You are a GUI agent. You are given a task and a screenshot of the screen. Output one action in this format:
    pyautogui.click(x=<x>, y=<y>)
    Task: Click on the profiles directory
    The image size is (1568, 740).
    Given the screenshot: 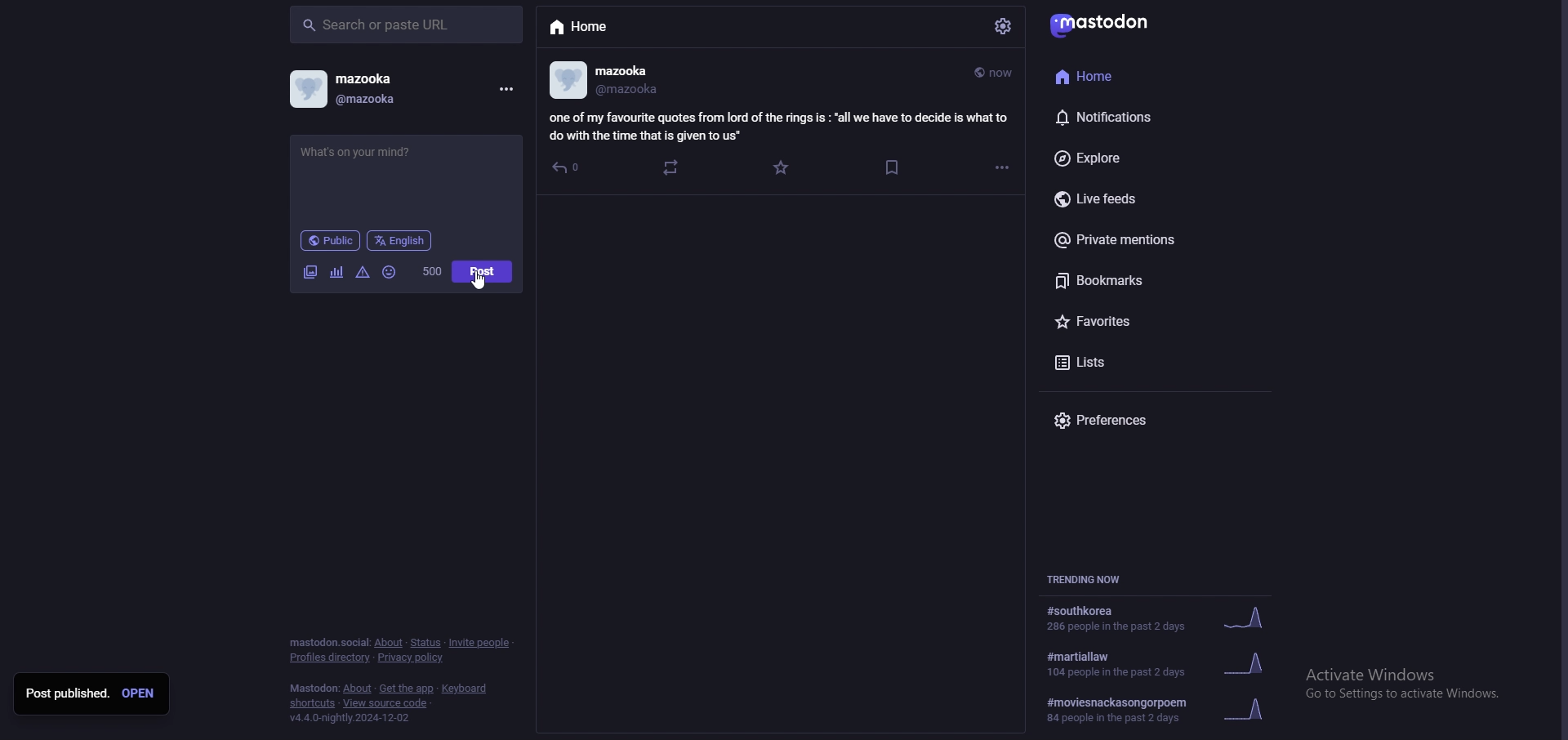 What is the action you would take?
    pyautogui.click(x=330, y=658)
    